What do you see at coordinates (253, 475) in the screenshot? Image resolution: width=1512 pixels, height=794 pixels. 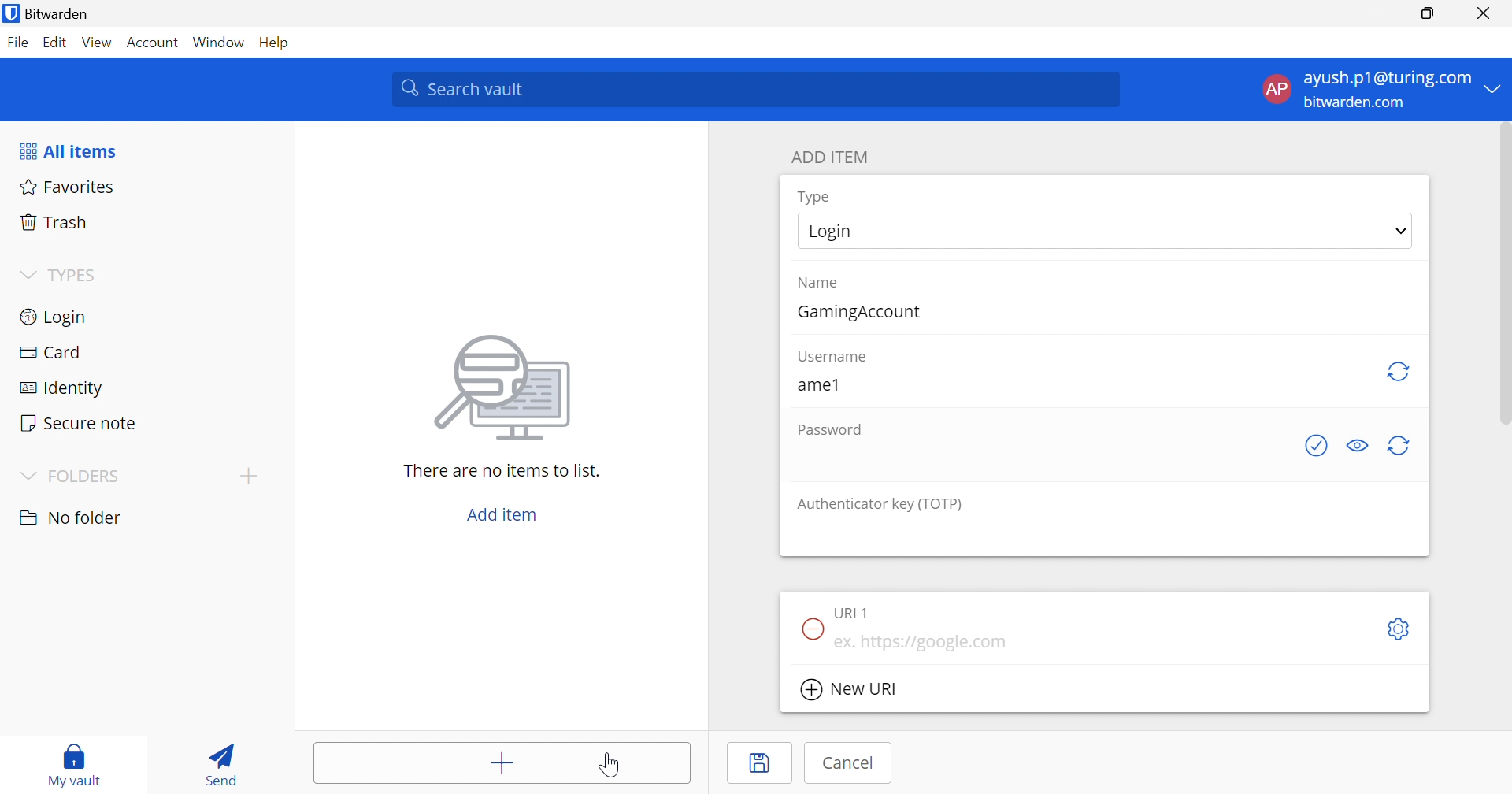 I see `Add folder` at bounding box center [253, 475].